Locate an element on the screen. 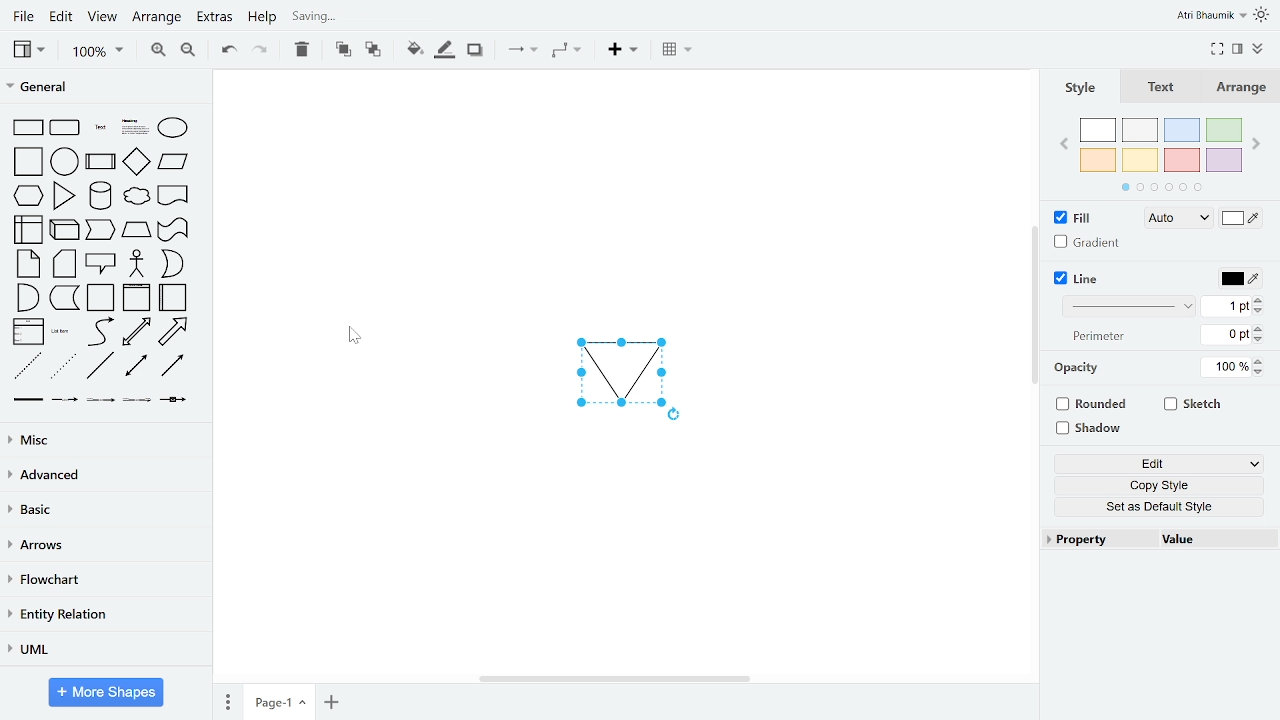  fill is located at coordinates (1082, 218).